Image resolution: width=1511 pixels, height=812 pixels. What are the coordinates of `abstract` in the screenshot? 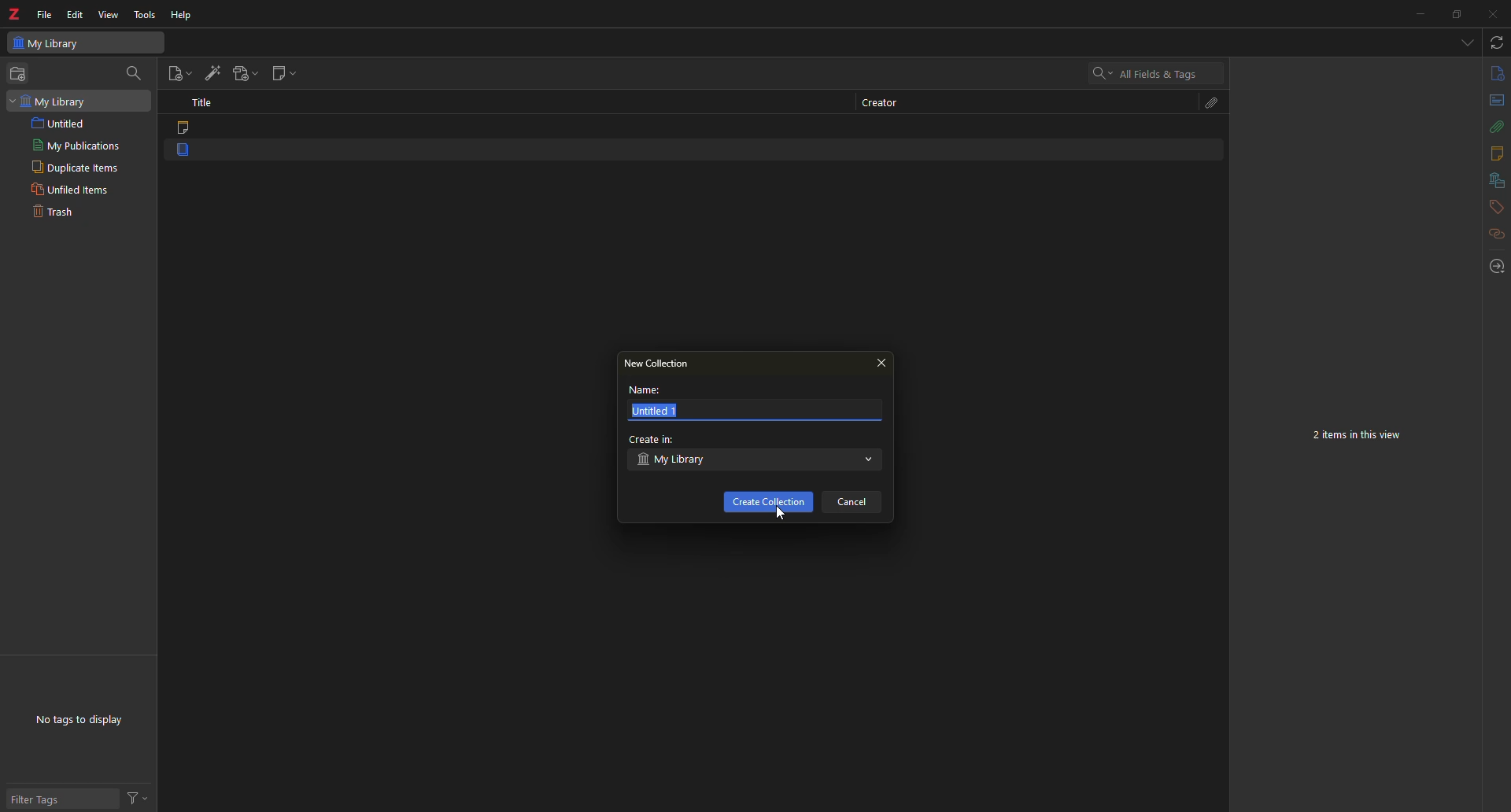 It's located at (1492, 102).